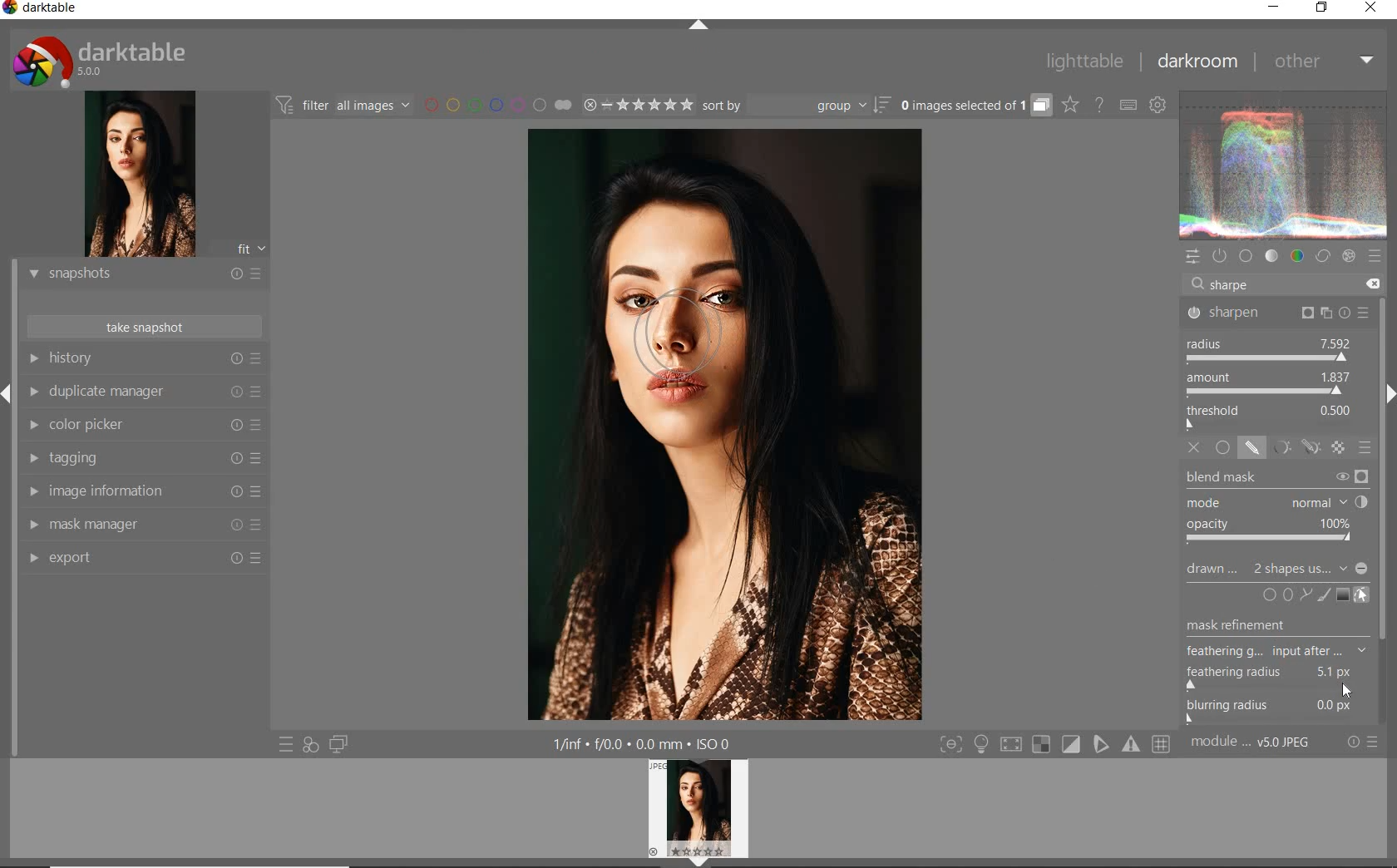  What do you see at coordinates (134, 174) in the screenshot?
I see `image preview` at bounding box center [134, 174].